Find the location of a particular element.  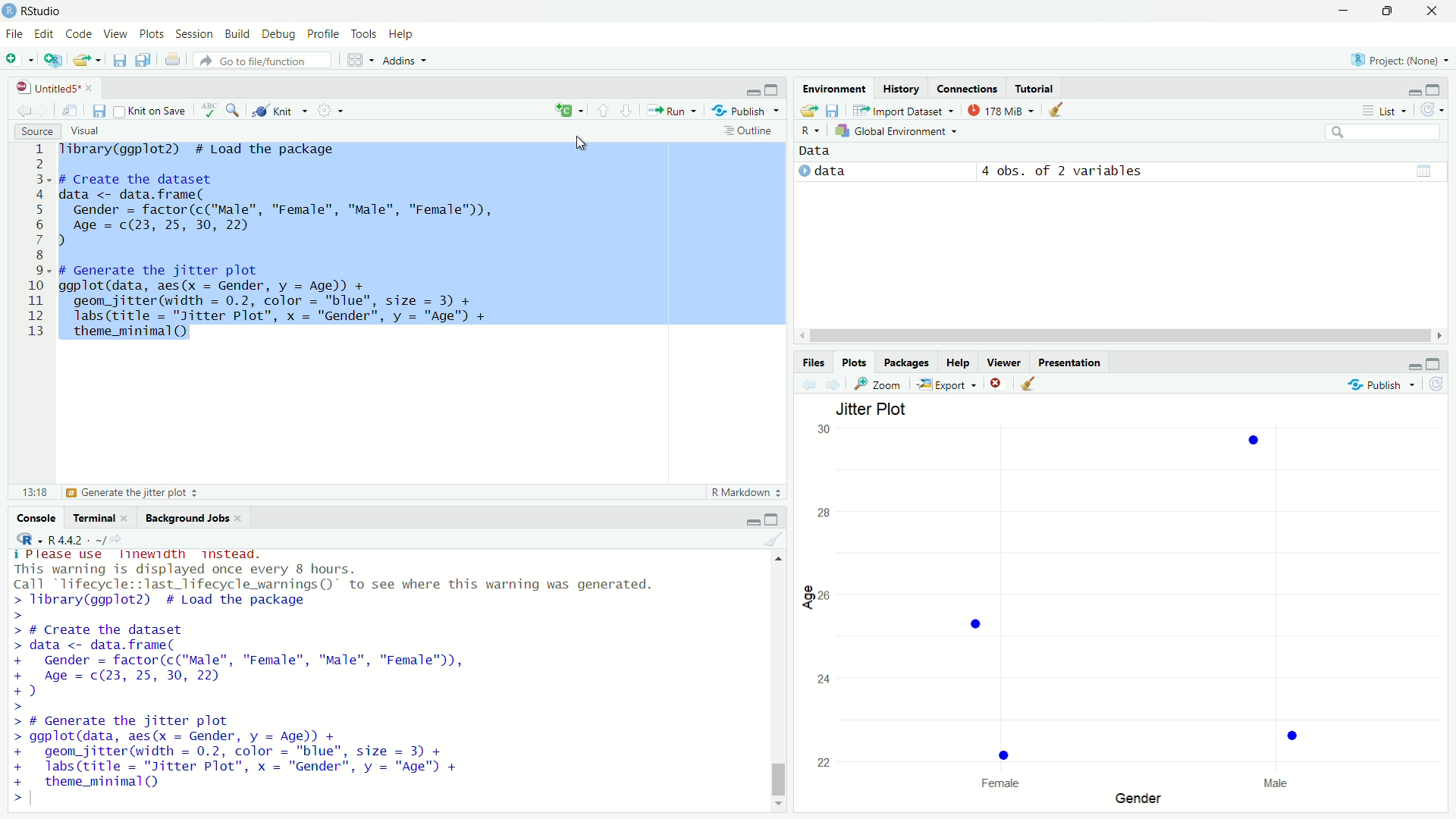

move up is located at coordinates (777, 559).